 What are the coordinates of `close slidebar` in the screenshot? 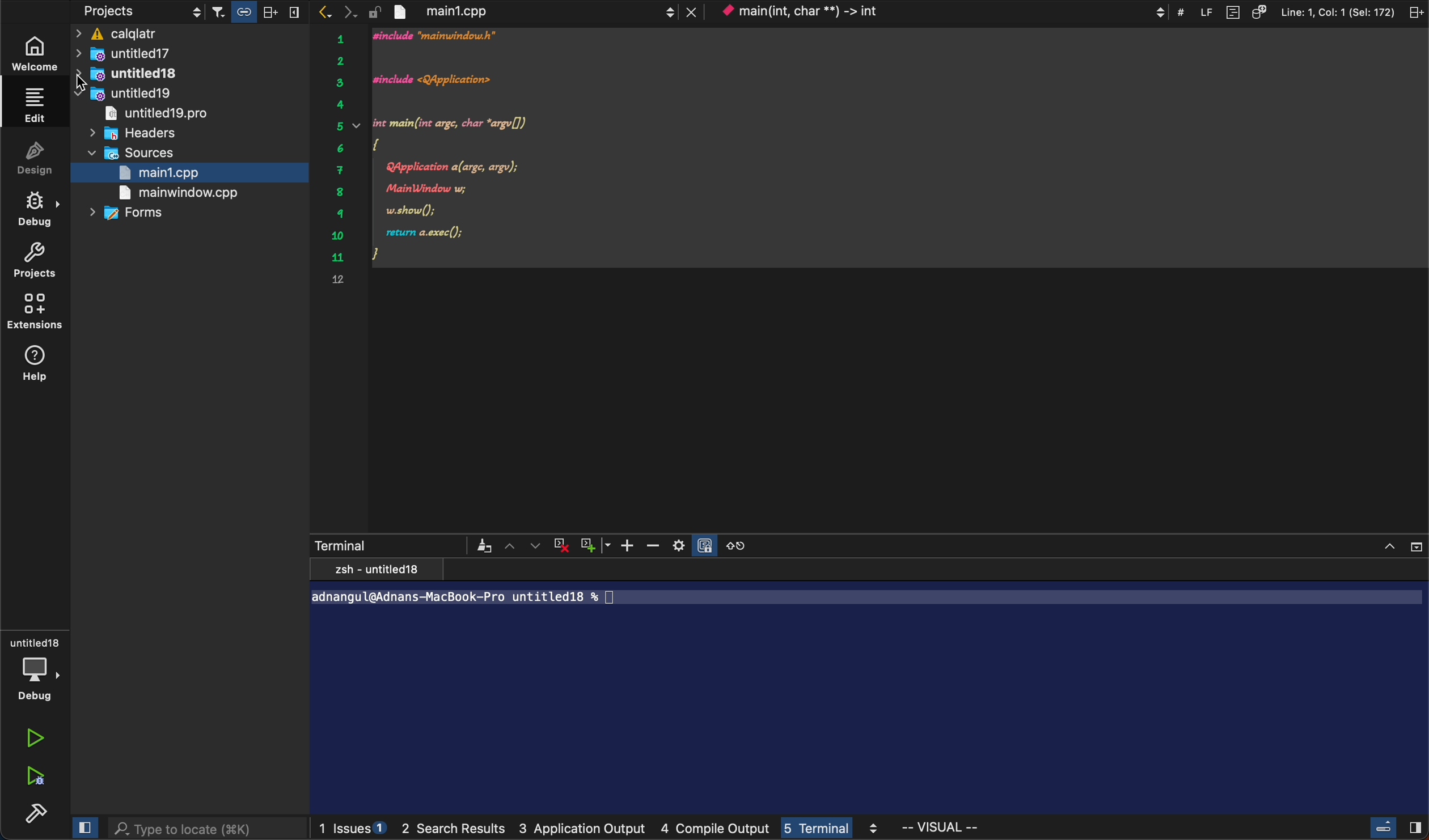 It's located at (1388, 827).